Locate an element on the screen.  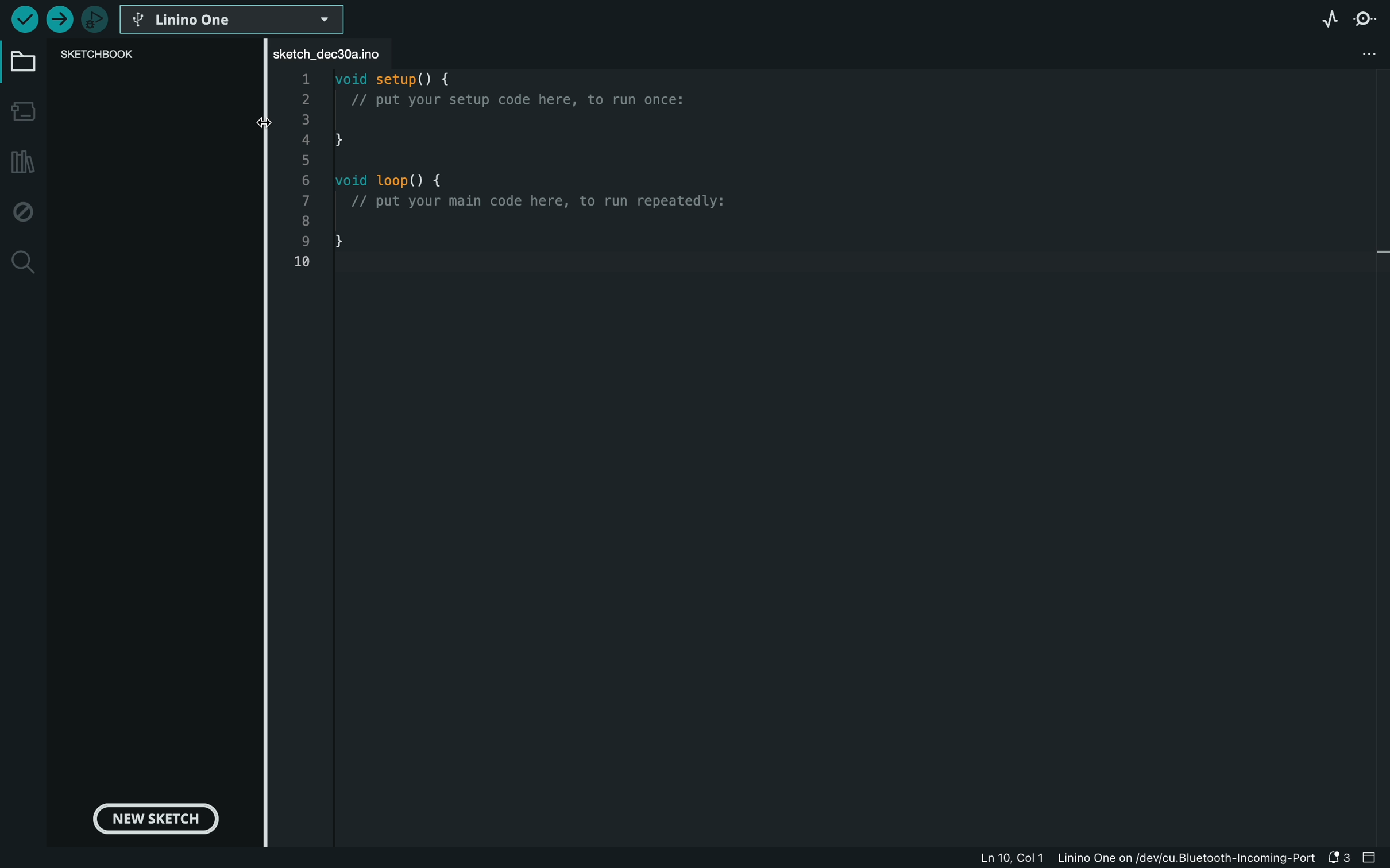
file tab is located at coordinates (346, 55).